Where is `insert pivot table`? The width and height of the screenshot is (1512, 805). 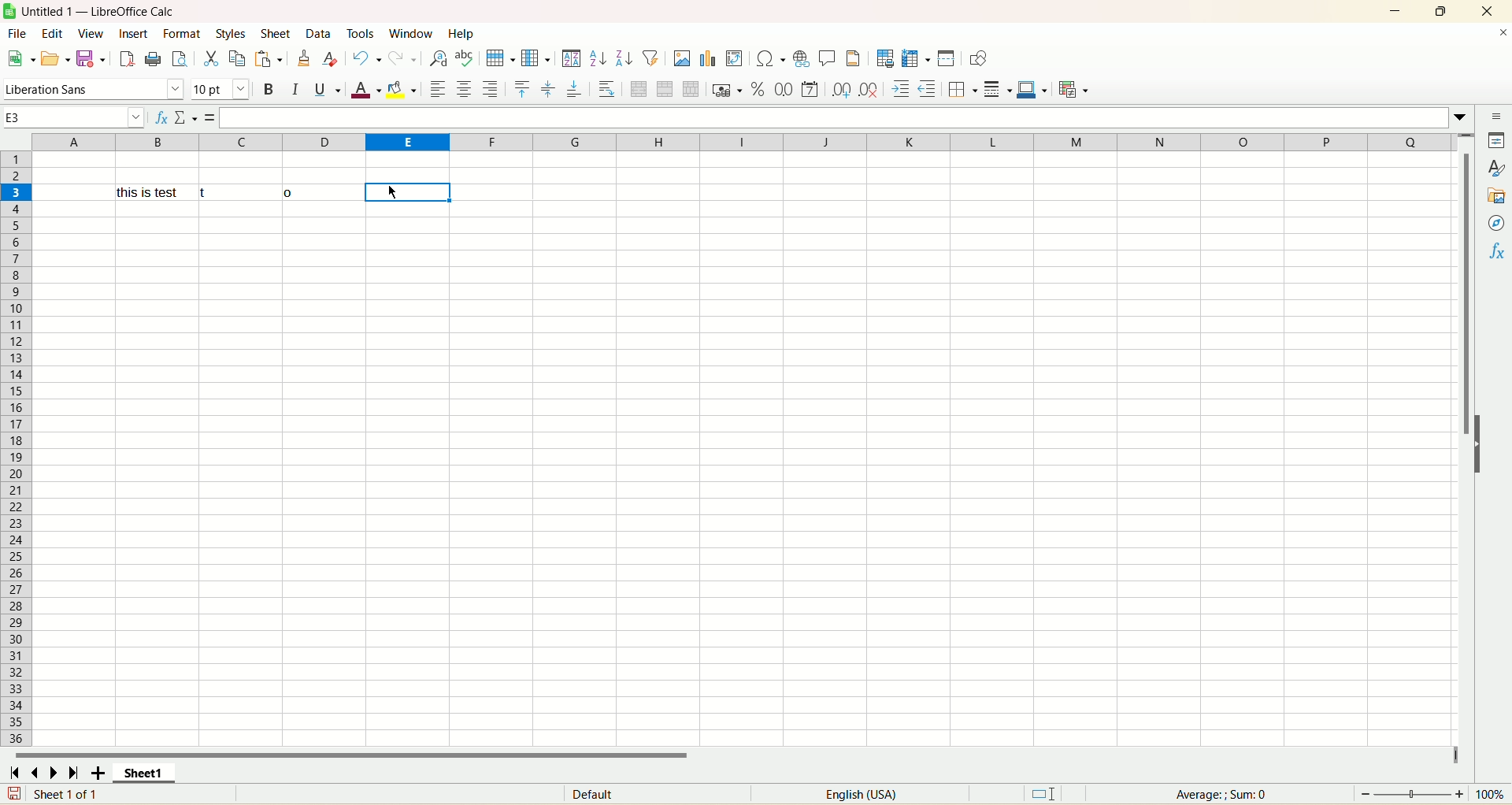 insert pivot table is located at coordinates (735, 59).